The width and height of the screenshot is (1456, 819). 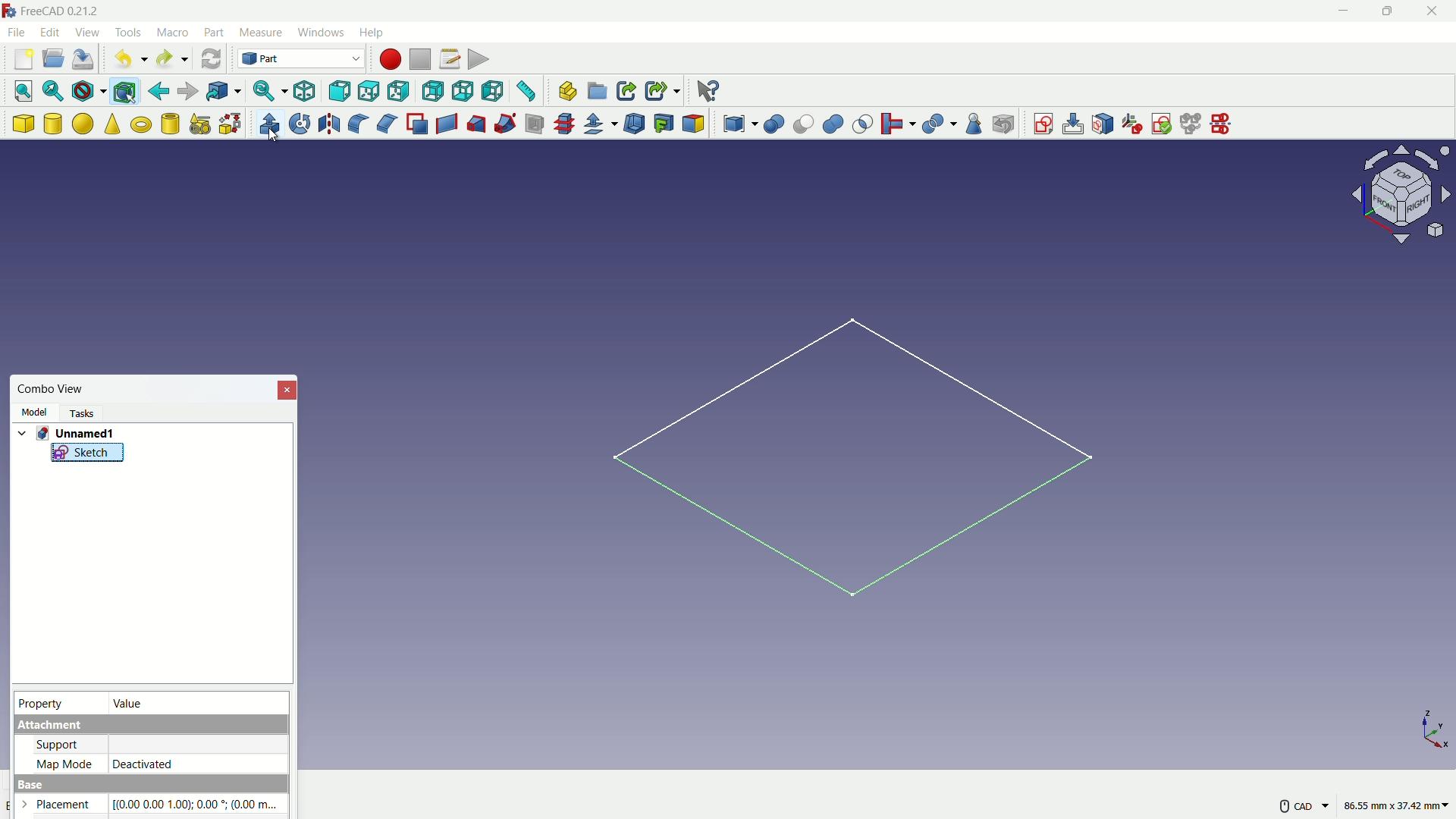 What do you see at coordinates (286, 391) in the screenshot?
I see `Close` at bounding box center [286, 391].